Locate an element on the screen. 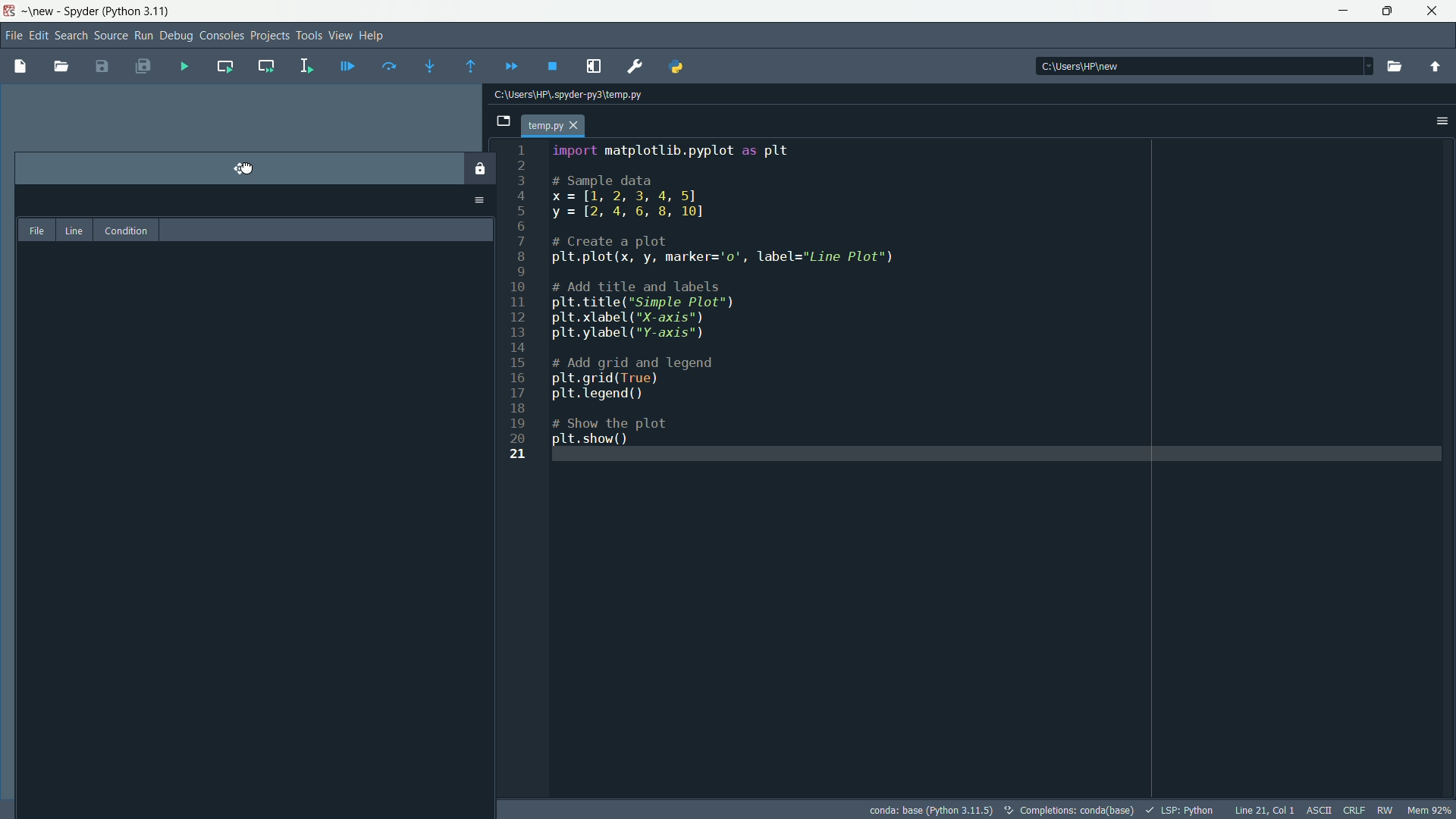  python path manager is located at coordinates (681, 67).